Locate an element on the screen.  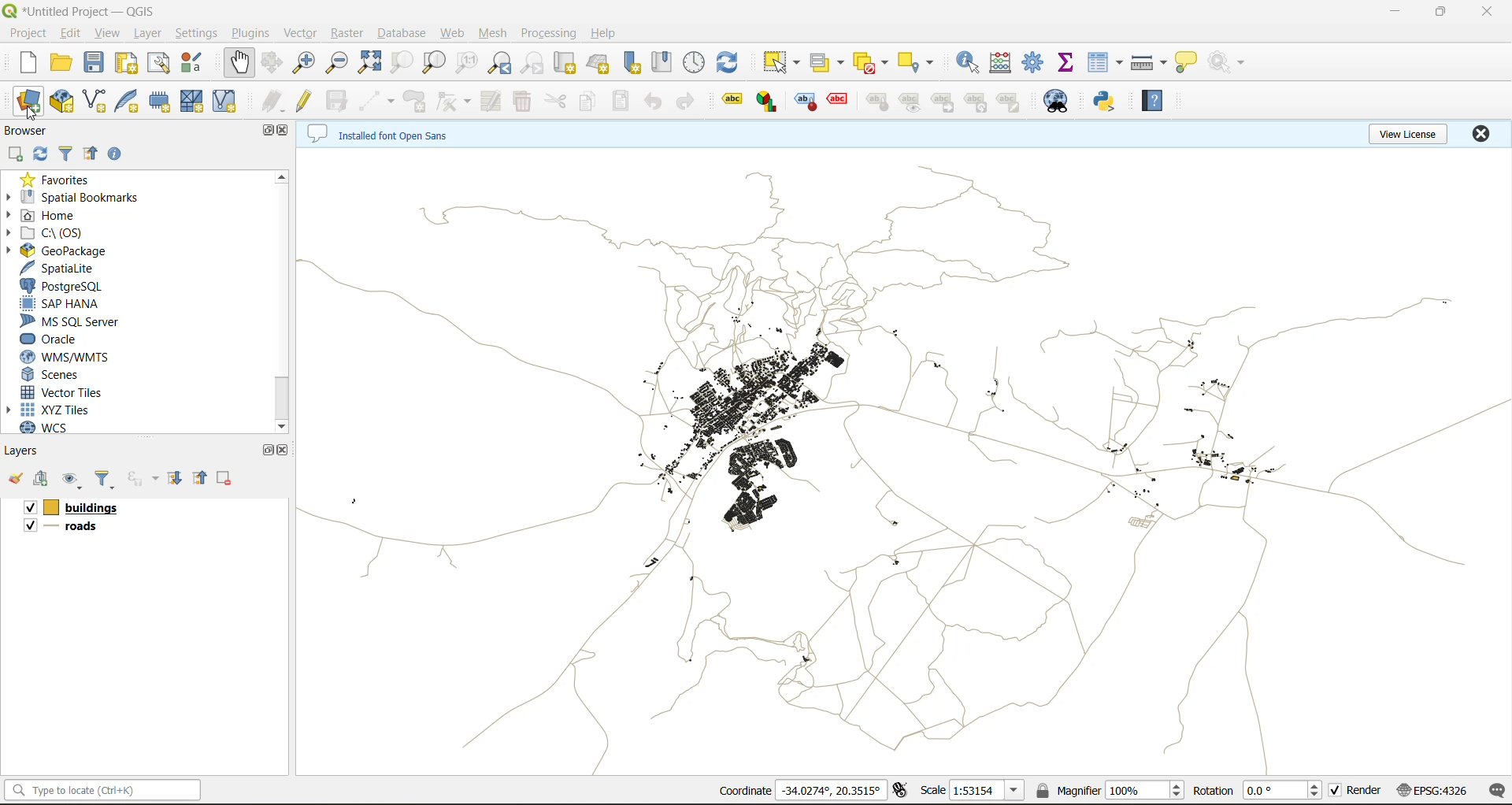
xyz tiles is located at coordinates (57, 410).